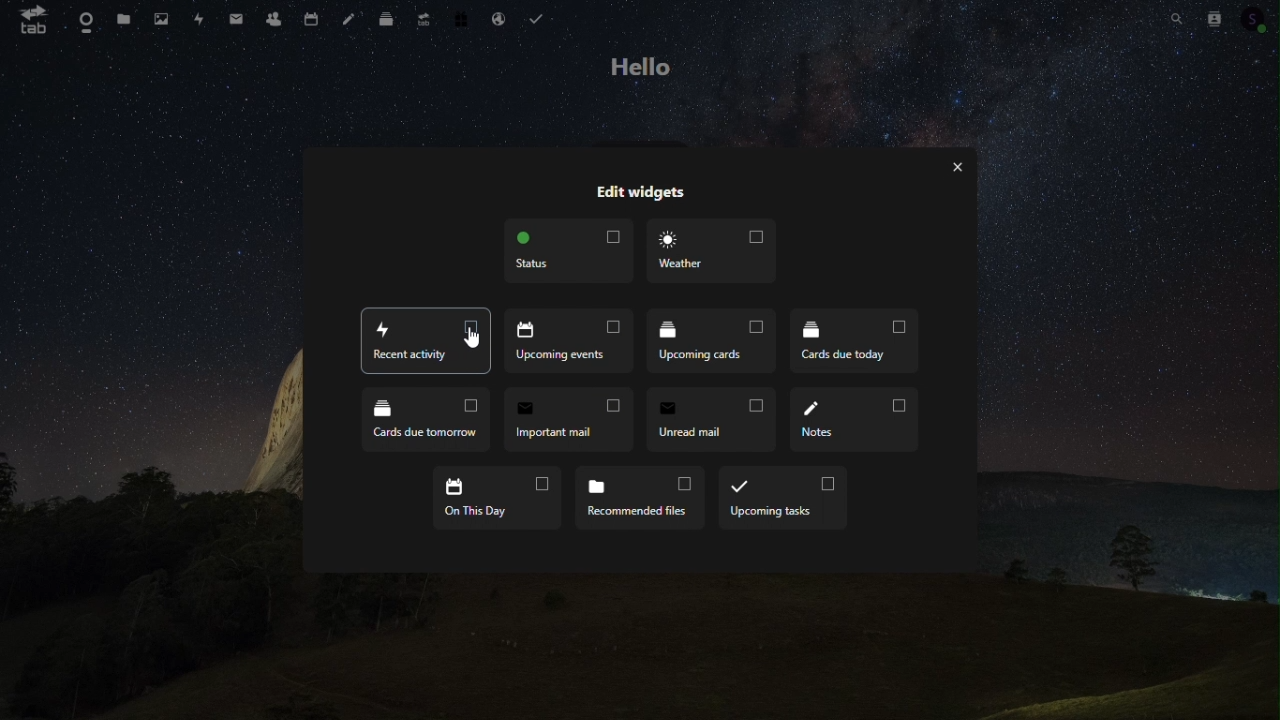 This screenshot has width=1280, height=720. I want to click on close, so click(958, 168).